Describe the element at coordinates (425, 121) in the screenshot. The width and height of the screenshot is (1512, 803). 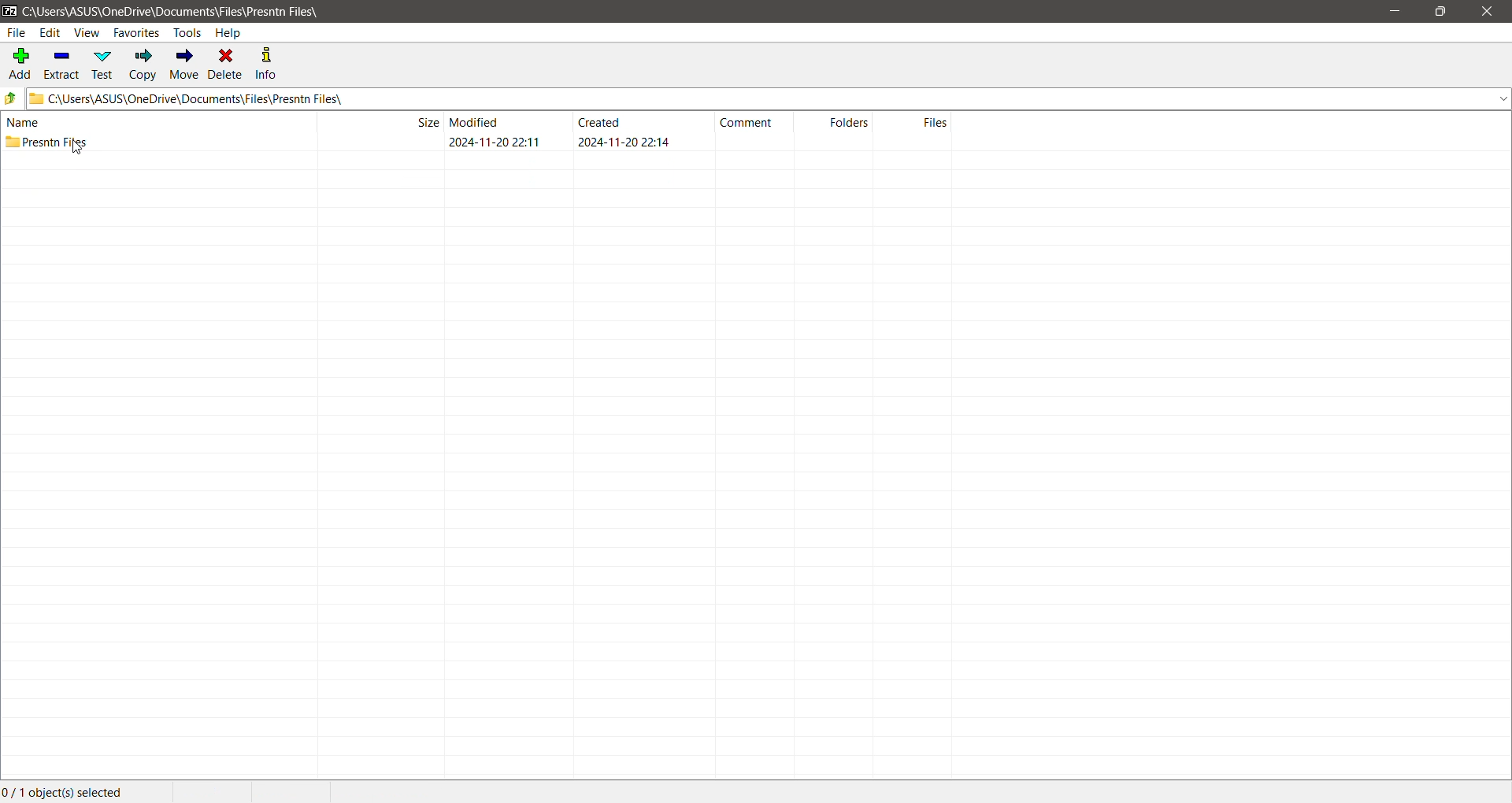
I see `size` at that location.